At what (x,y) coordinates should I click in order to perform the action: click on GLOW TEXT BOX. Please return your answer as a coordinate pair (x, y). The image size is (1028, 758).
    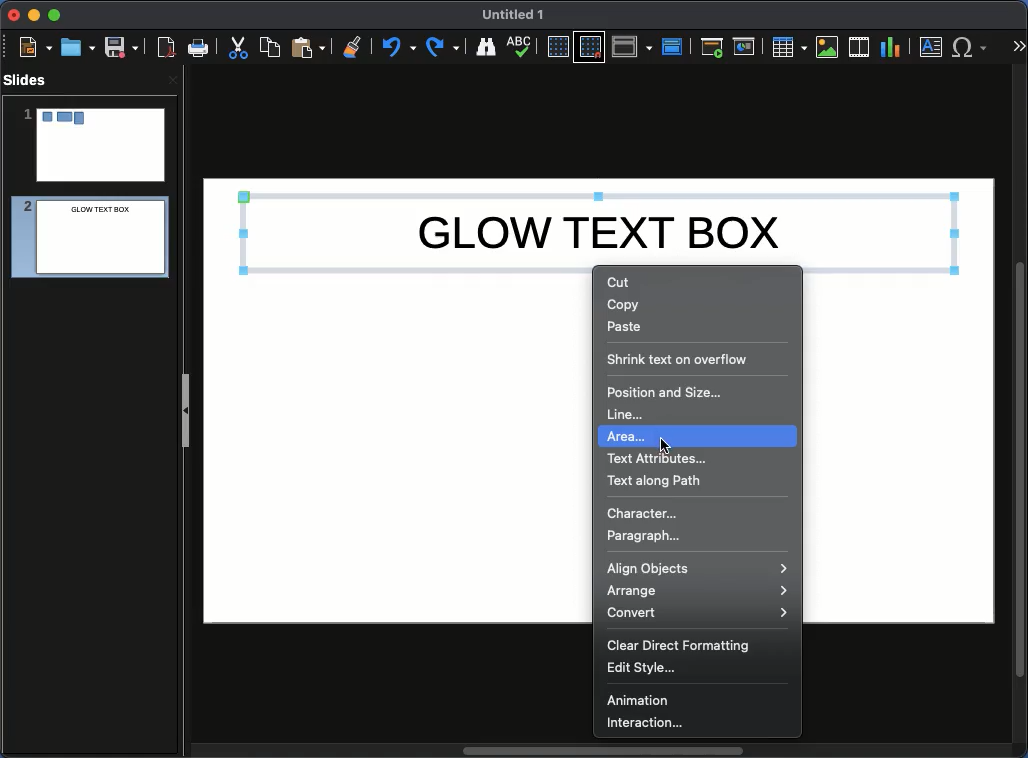
    Looking at the image, I should click on (599, 228).